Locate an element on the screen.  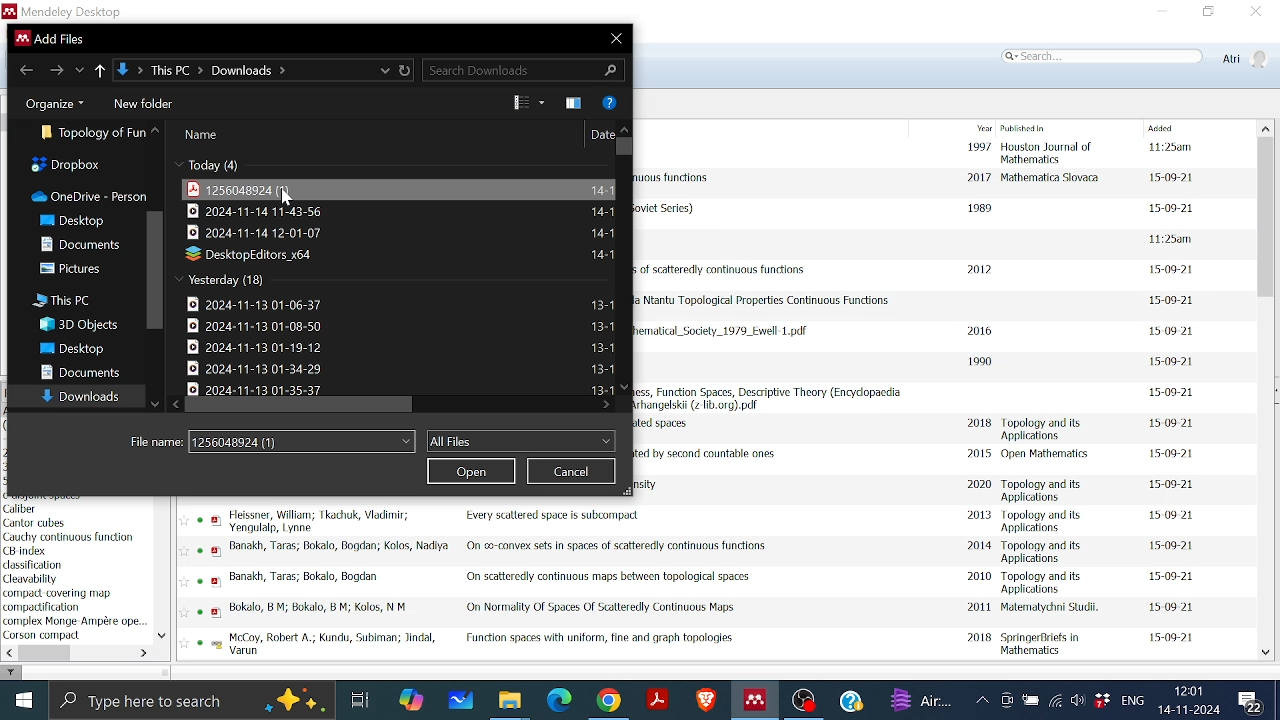
File is located at coordinates (250, 256).